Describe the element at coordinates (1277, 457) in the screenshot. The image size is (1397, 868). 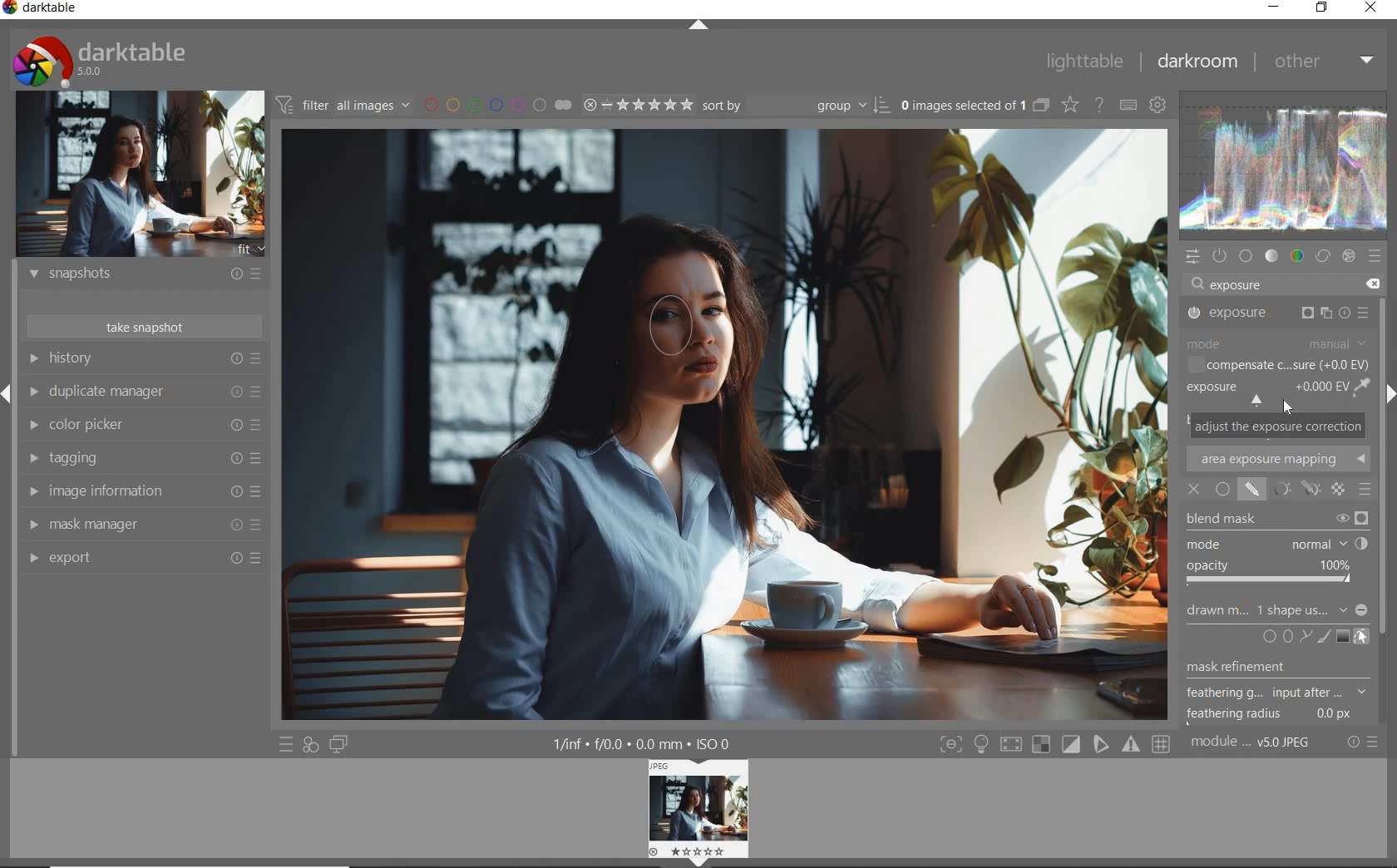
I see `AREA EXPOSURE MAPPING` at that location.